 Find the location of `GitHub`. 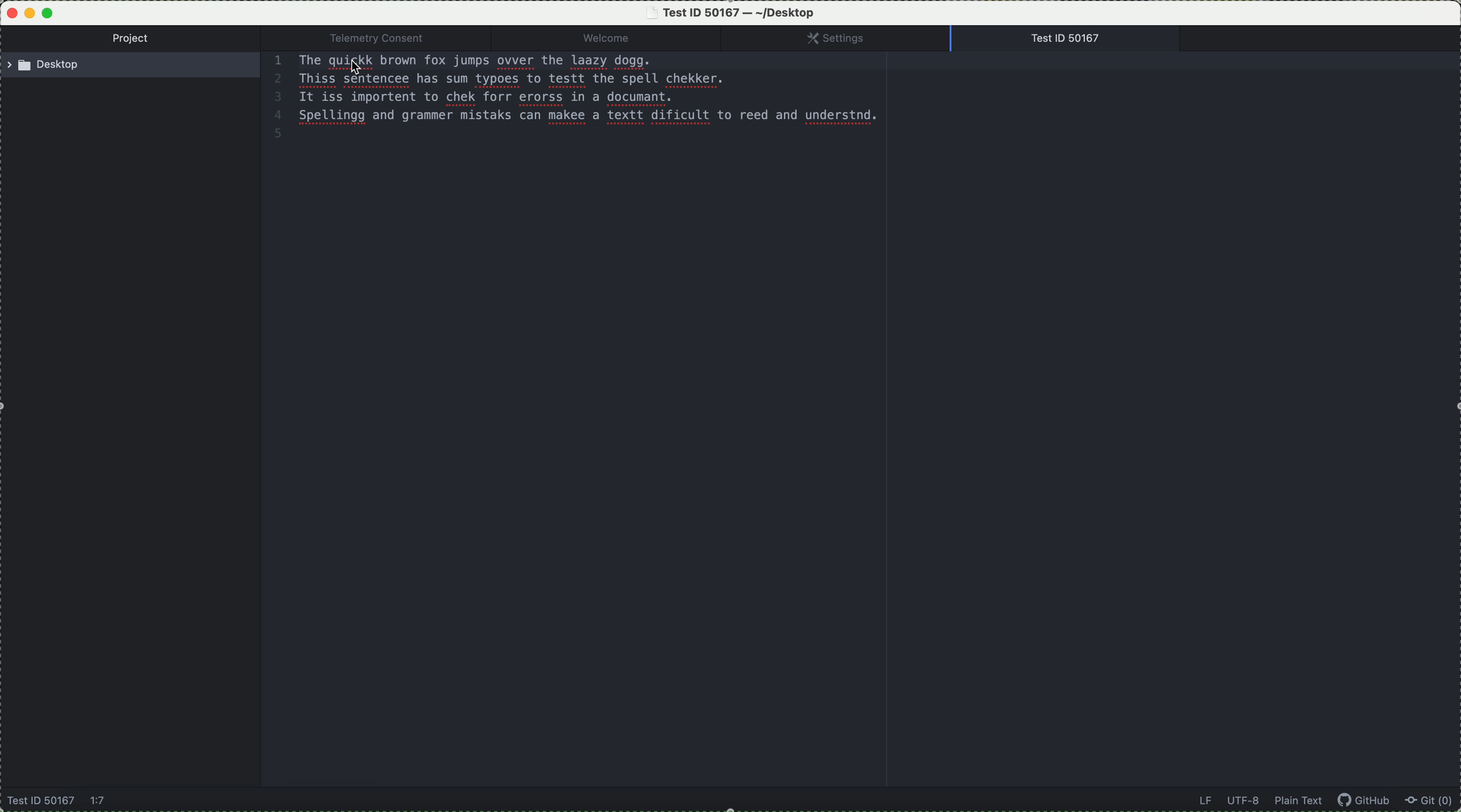

GitHub is located at coordinates (1368, 802).